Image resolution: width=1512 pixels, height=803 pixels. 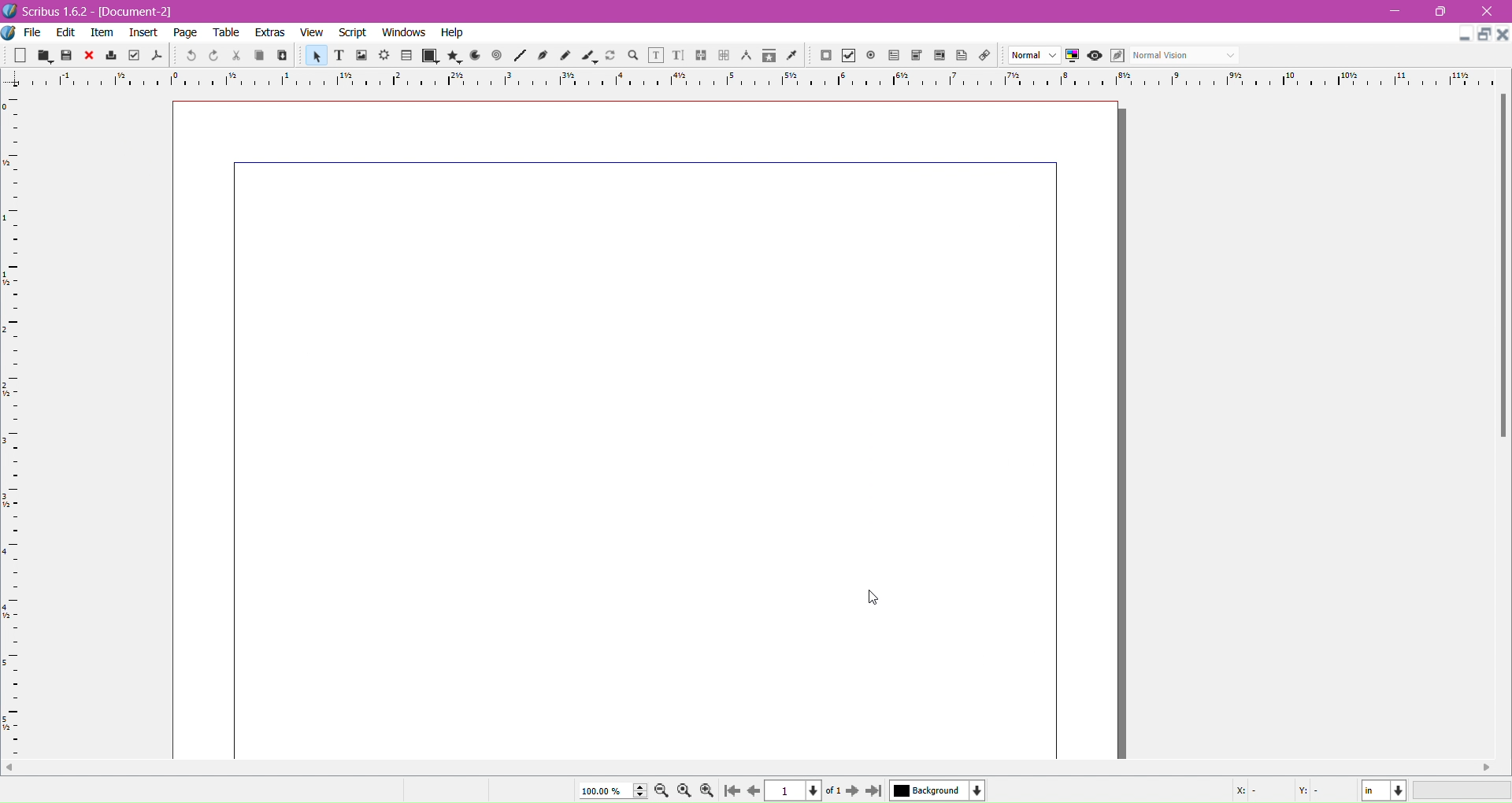 What do you see at coordinates (143, 35) in the screenshot?
I see `Insert` at bounding box center [143, 35].